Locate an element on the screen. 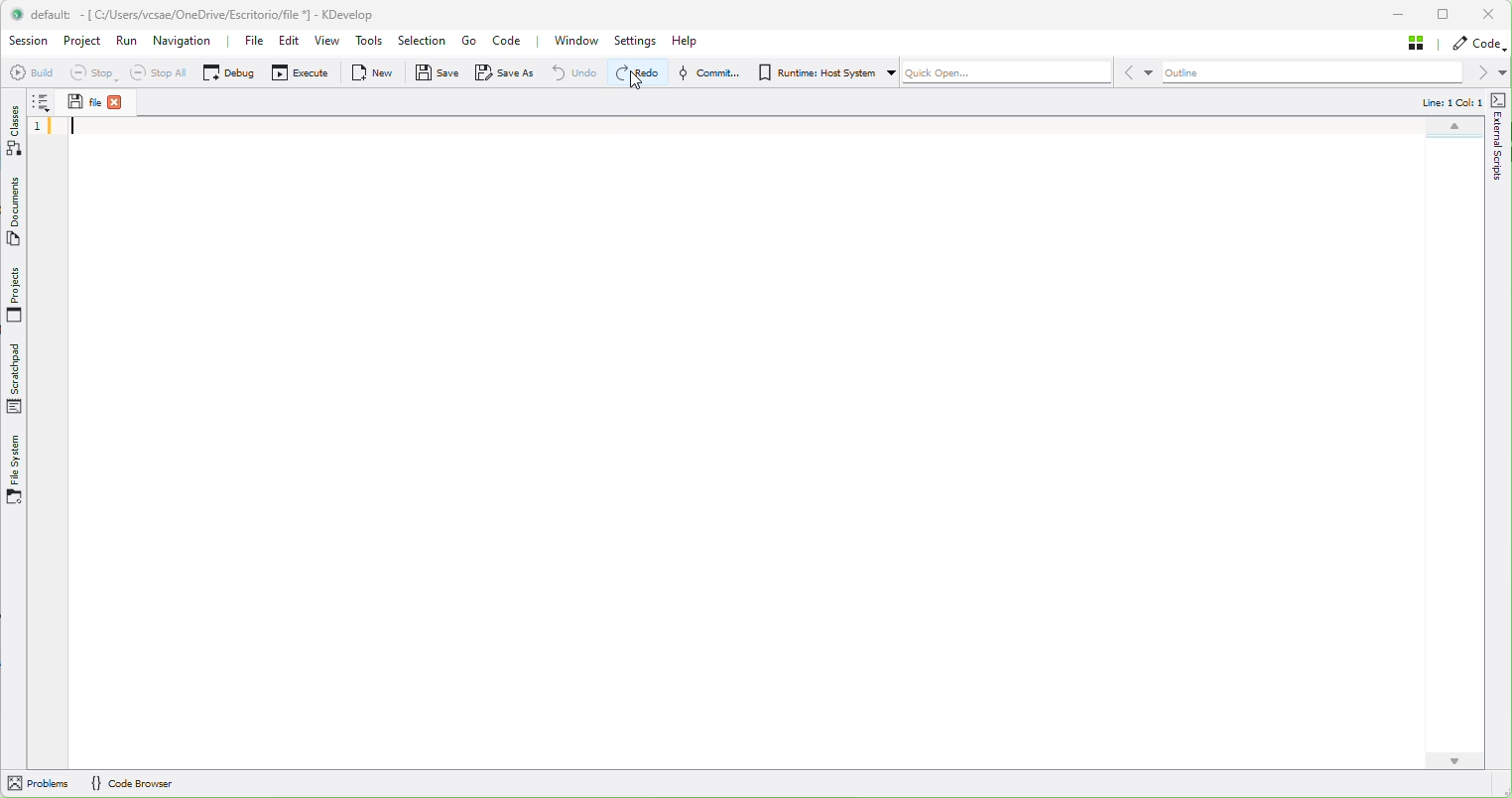 This screenshot has width=1512, height=798. Edit is located at coordinates (289, 41).